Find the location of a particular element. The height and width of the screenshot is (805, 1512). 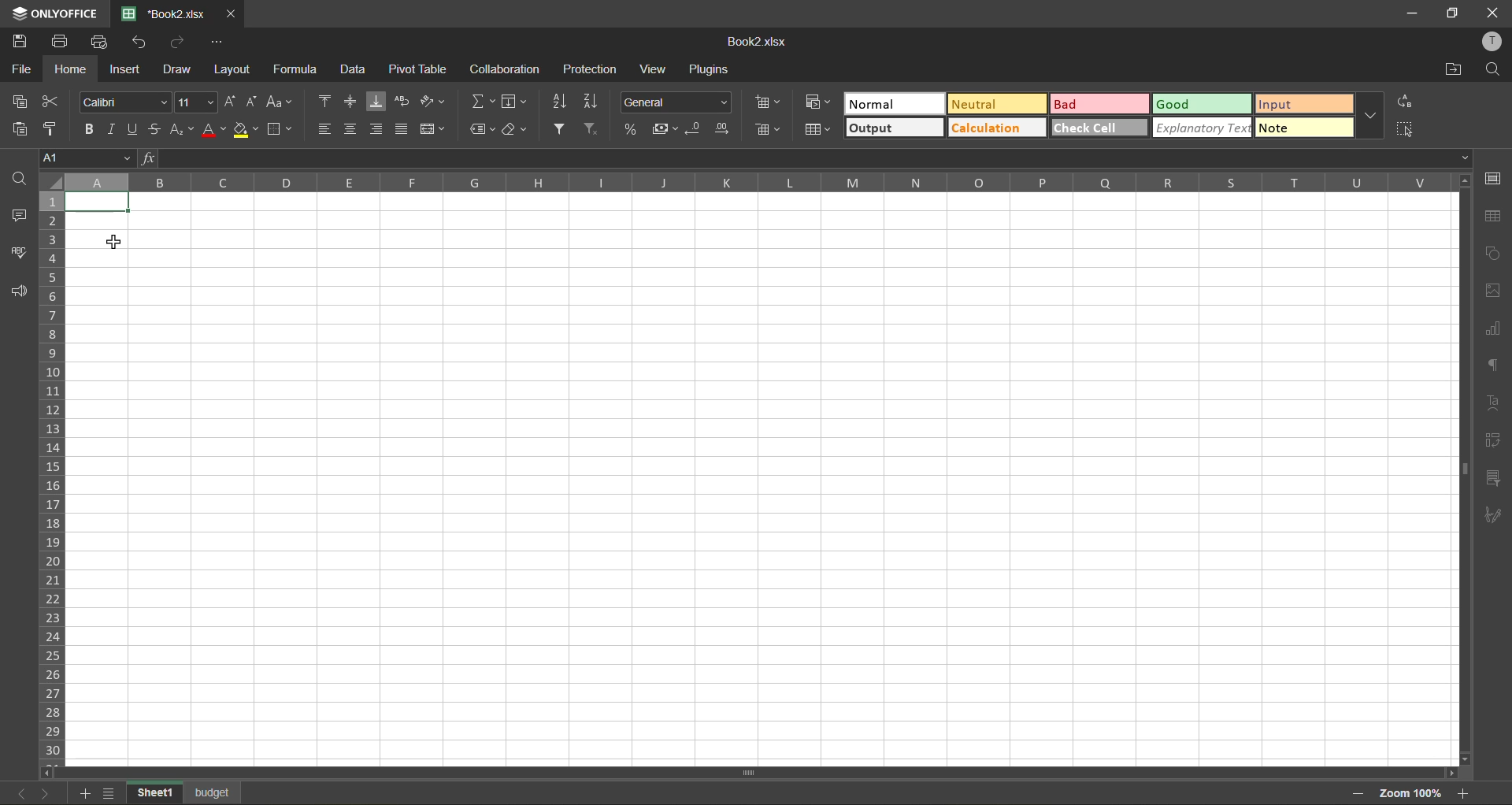

scroll bar is located at coordinates (714, 770).